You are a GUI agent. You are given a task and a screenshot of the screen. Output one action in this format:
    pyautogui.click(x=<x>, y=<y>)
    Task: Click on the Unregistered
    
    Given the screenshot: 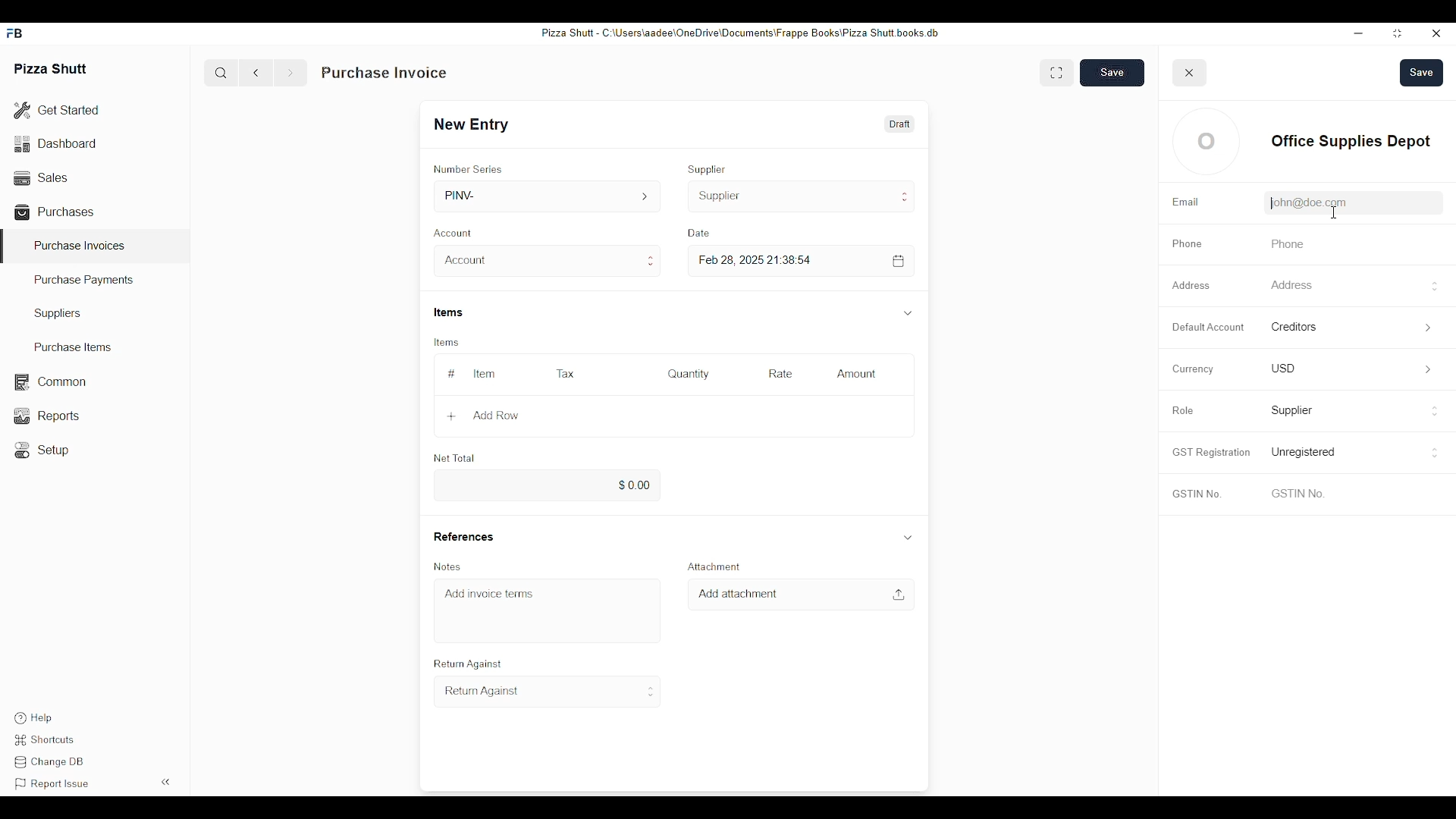 What is the action you would take?
    pyautogui.click(x=1305, y=452)
    